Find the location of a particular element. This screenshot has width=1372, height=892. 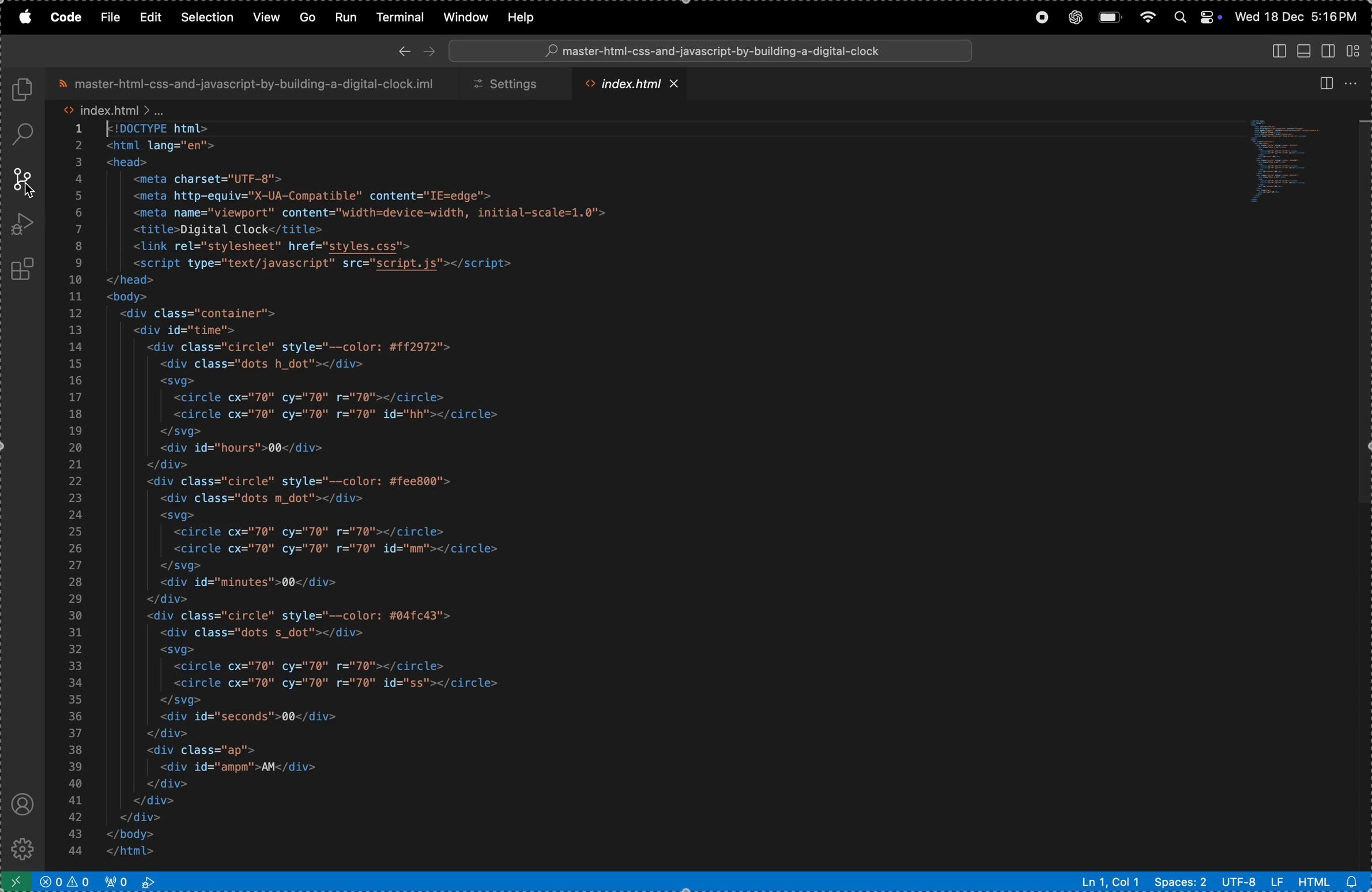

file is located at coordinates (112, 17).